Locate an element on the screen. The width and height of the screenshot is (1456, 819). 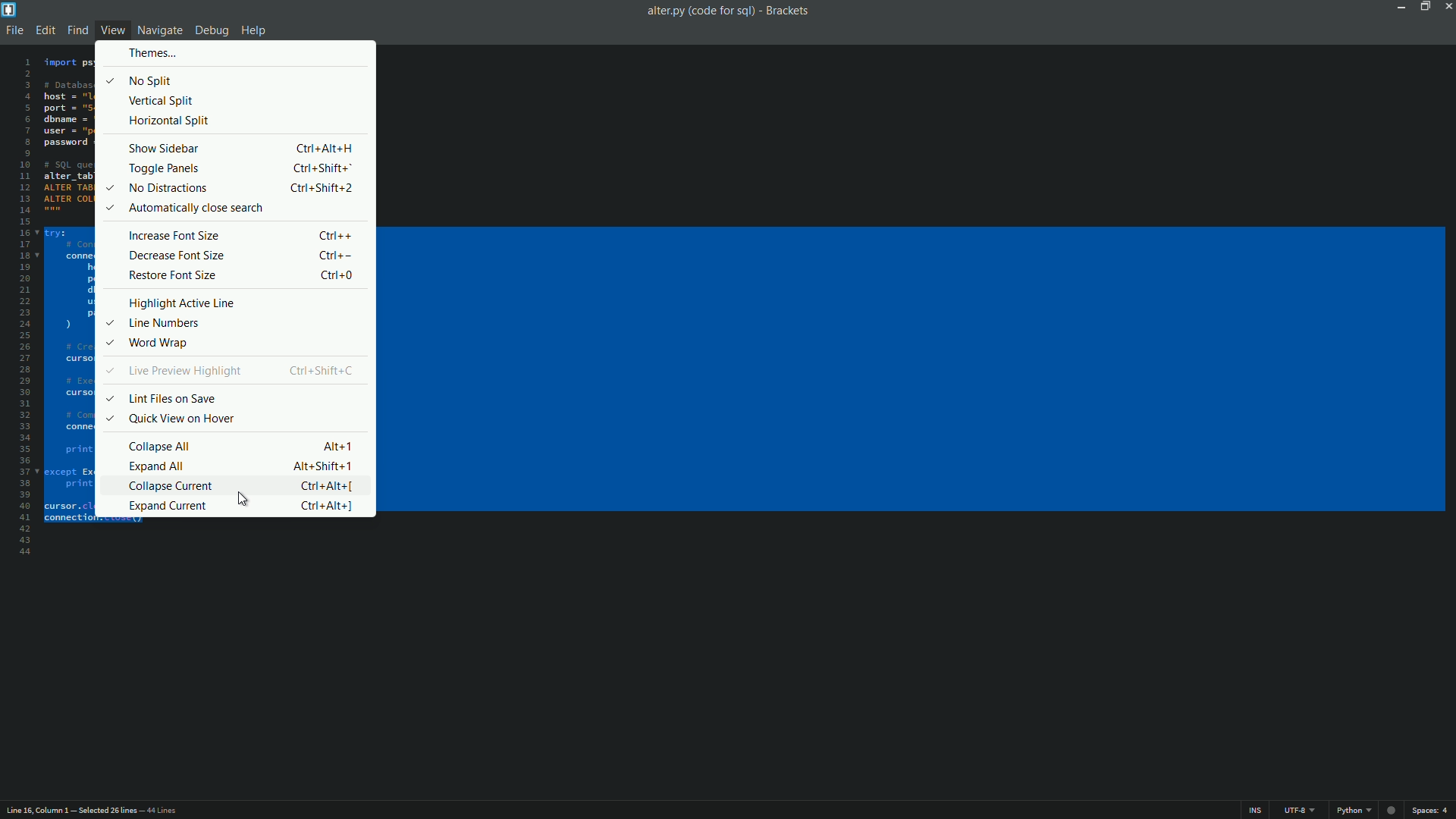
app name is located at coordinates (790, 11).